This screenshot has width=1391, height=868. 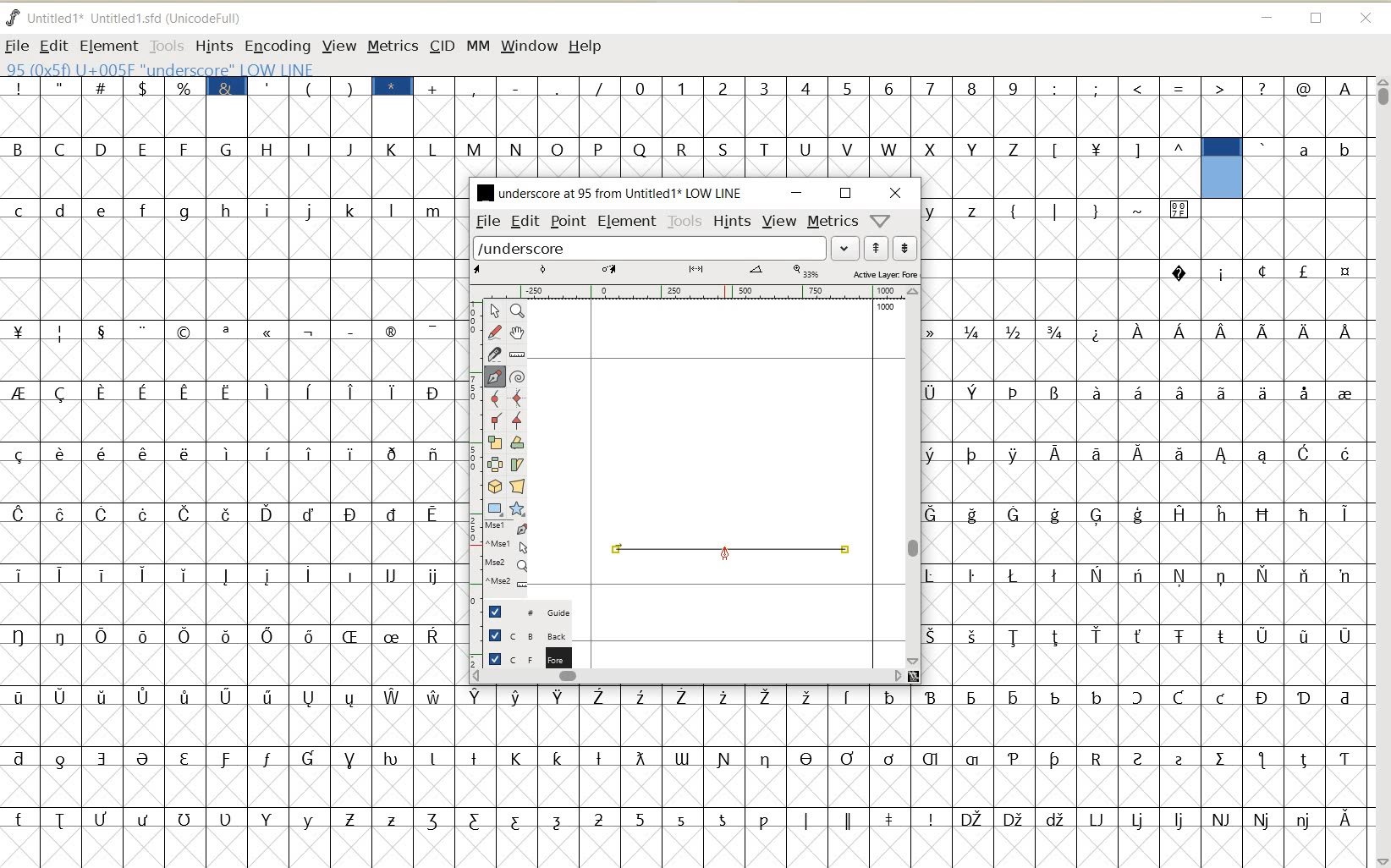 What do you see at coordinates (914, 477) in the screenshot?
I see `SCROLLBAR` at bounding box center [914, 477].